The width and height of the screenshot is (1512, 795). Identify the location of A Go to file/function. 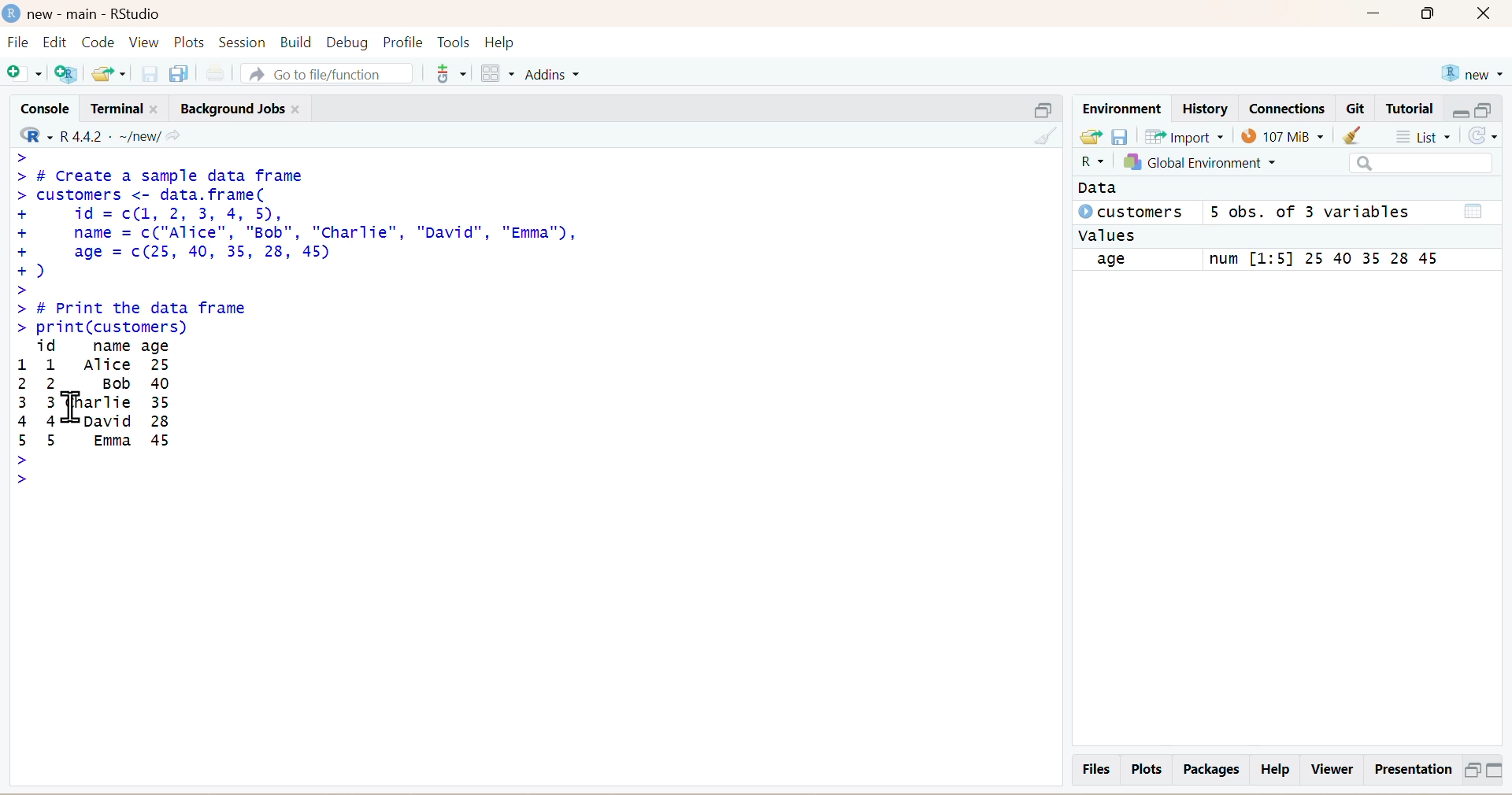
(324, 72).